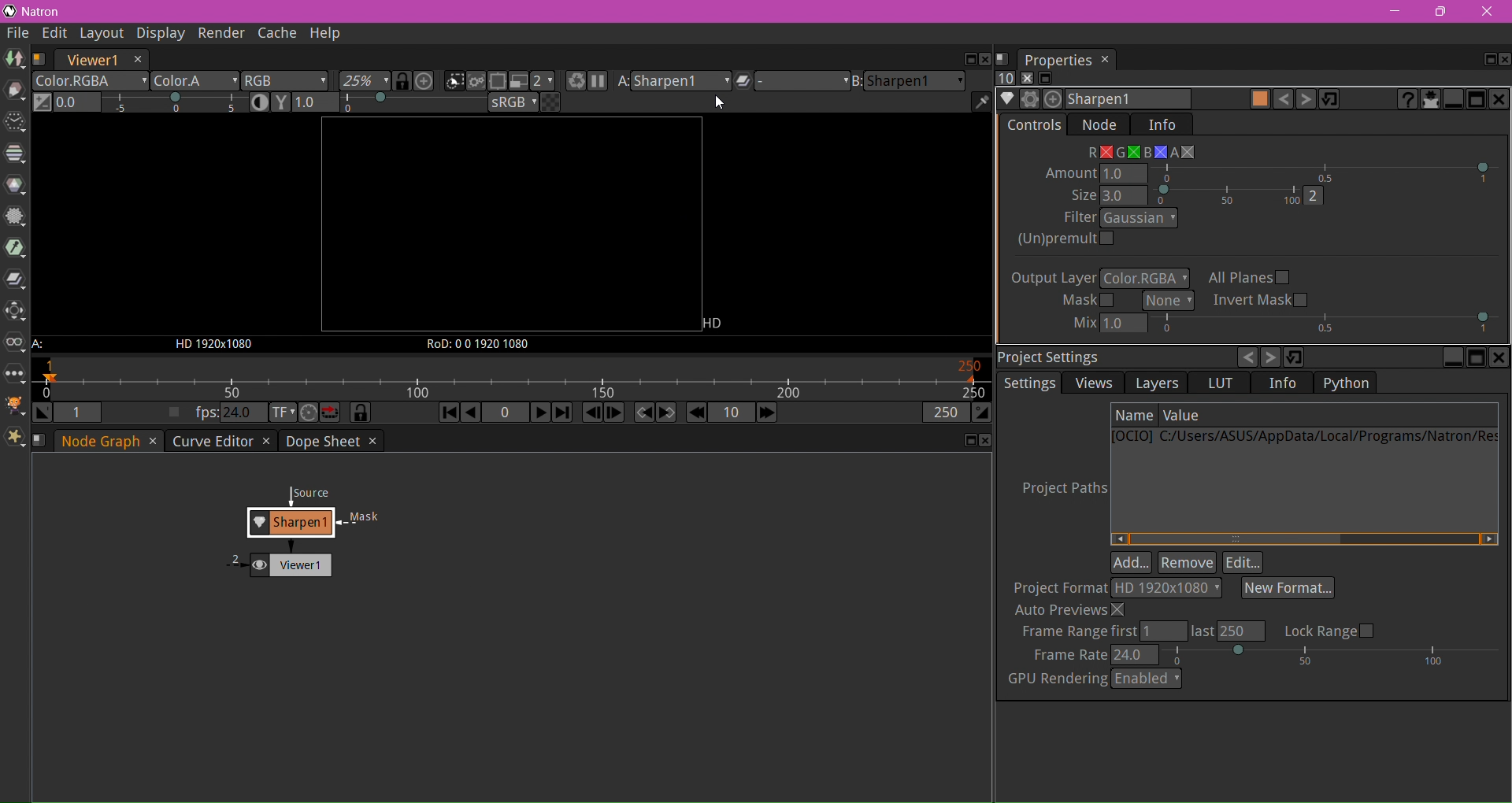 Image resolution: width=1512 pixels, height=803 pixels. Describe the element at coordinates (667, 413) in the screenshot. I see `Next Keyframe` at that location.